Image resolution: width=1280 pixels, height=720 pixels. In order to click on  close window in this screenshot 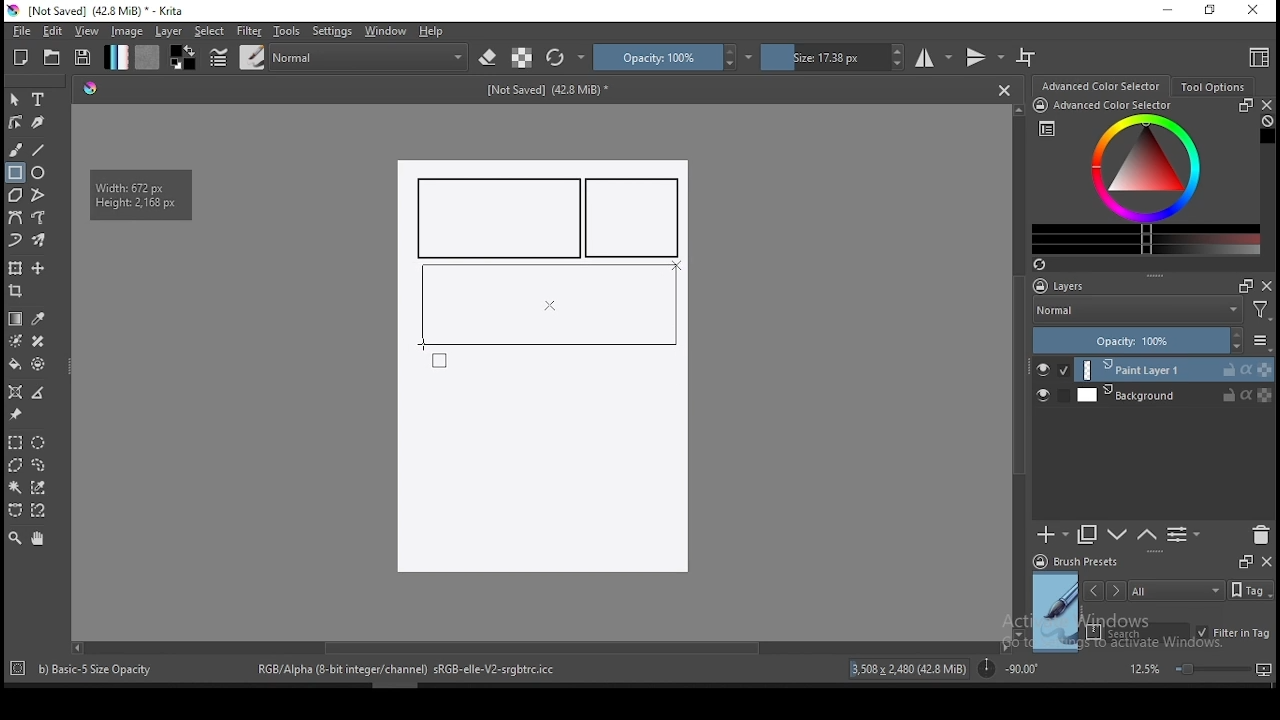, I will do `click(1255, 11)`.